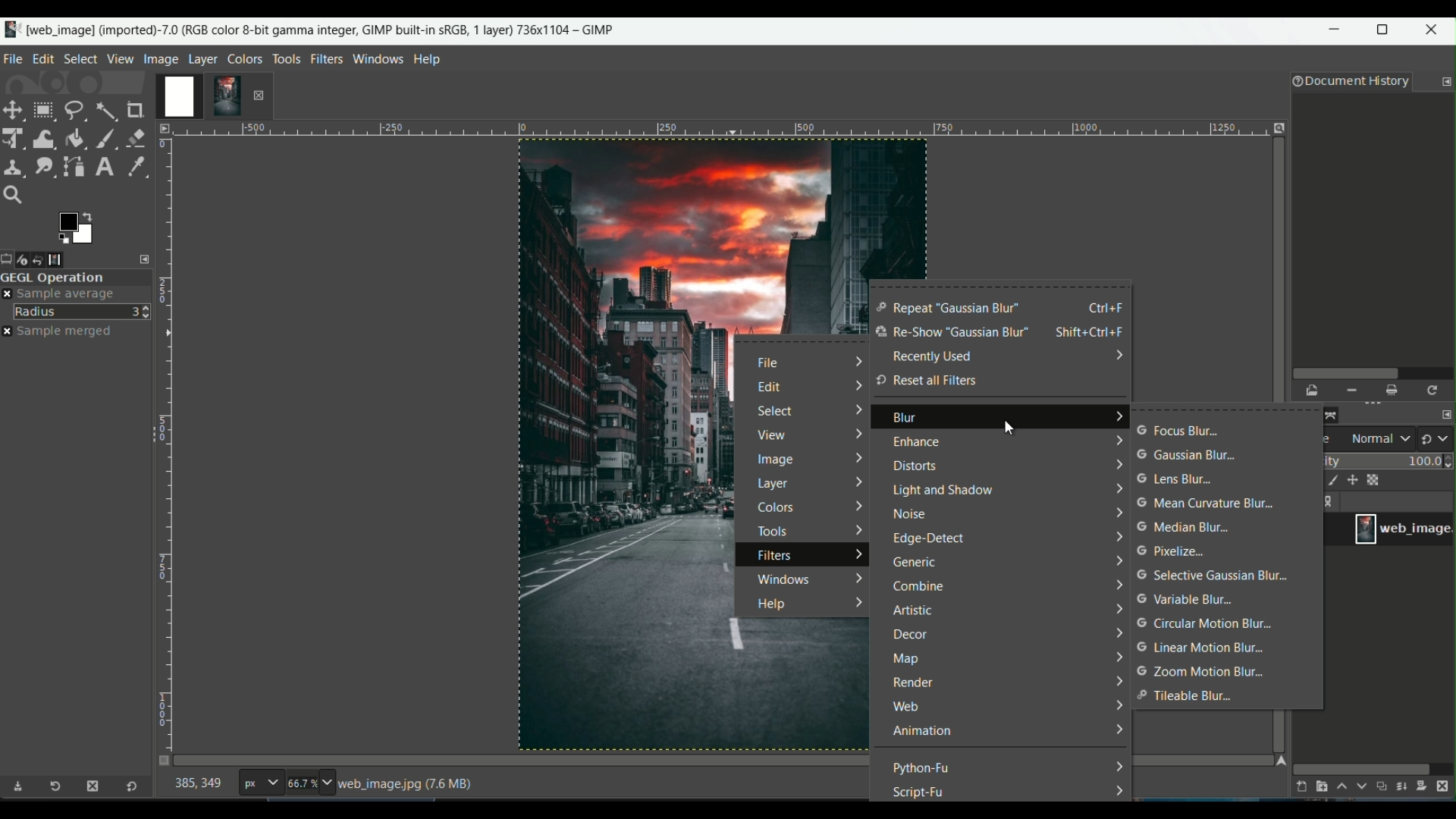 Image resolution: width=1456 pixels, height=819 pixels. Describe the element at coordinates (915, 564) in the screenshot. I see `generic` at that location.